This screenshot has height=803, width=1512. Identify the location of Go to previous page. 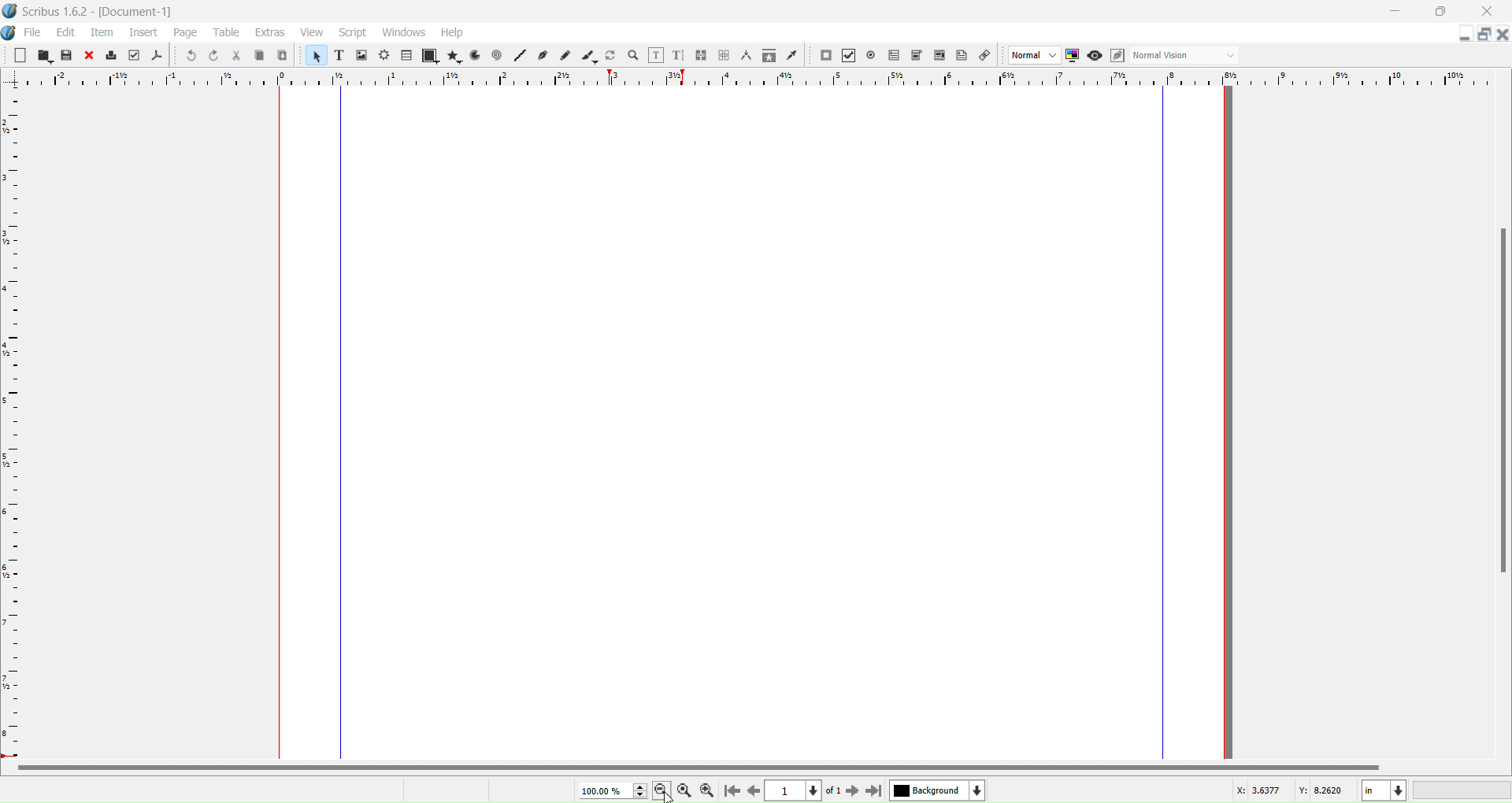
(751, 791).